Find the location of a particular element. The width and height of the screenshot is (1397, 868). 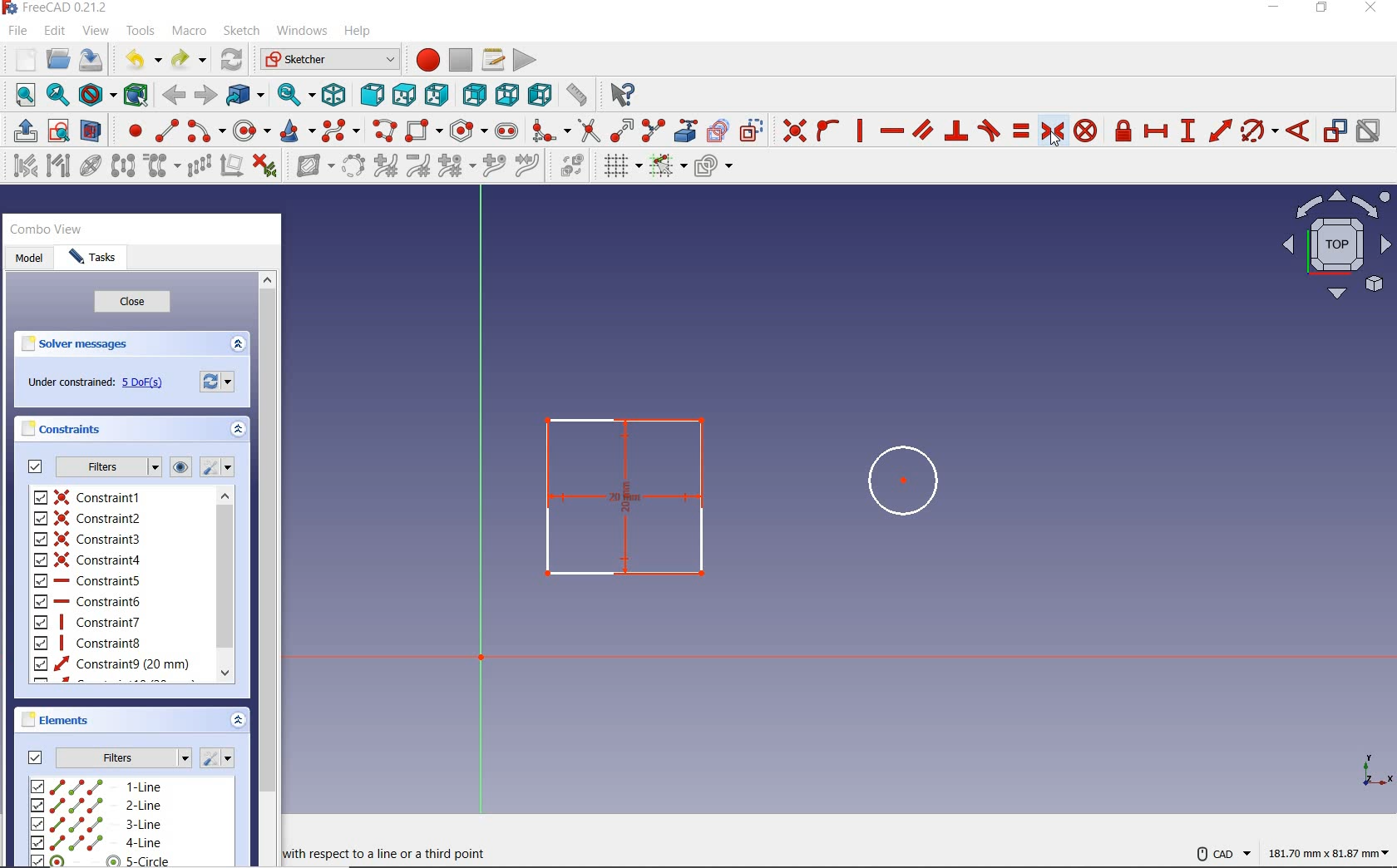

centered rectangle is located at coordinates (425, 131).